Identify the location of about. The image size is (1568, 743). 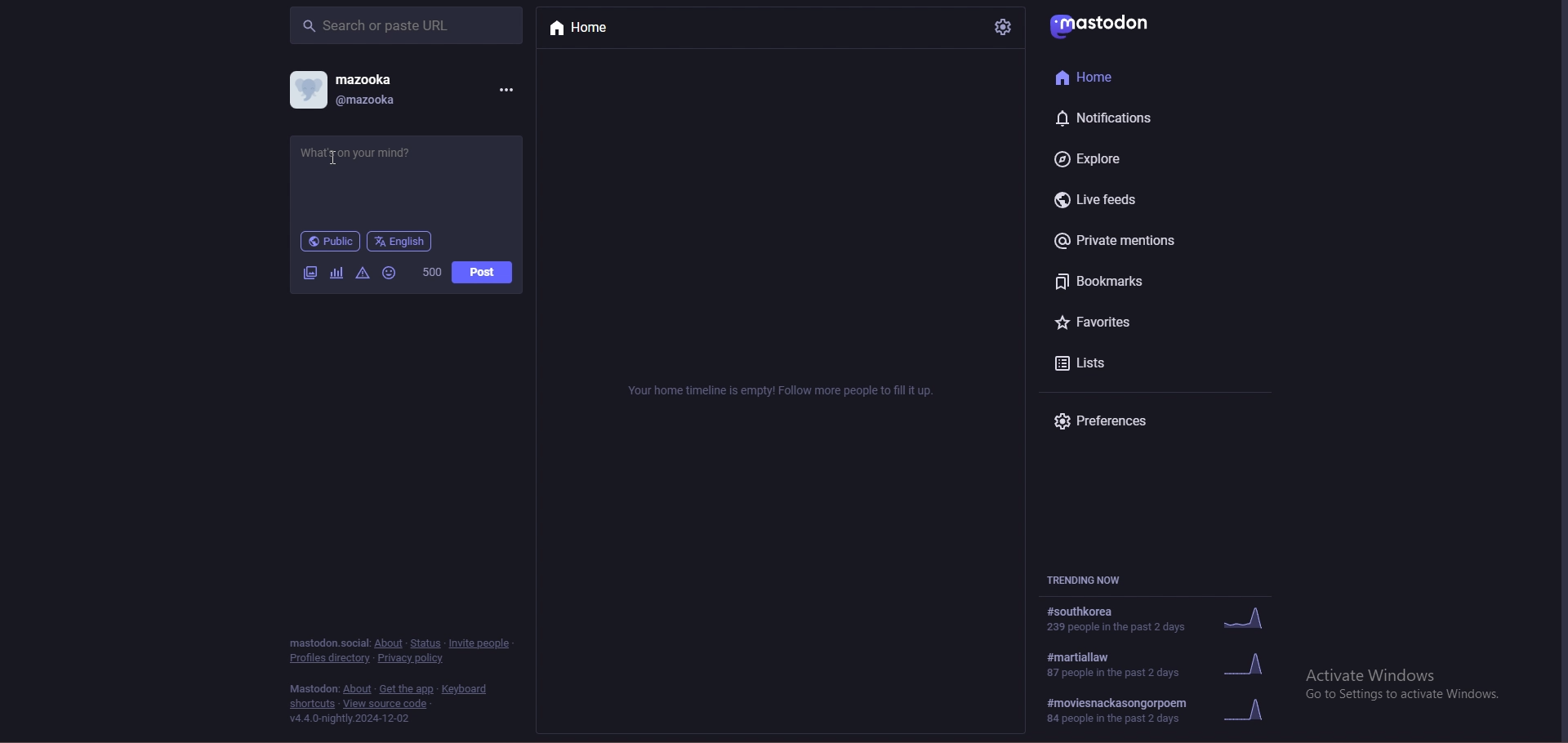
(390, 643).